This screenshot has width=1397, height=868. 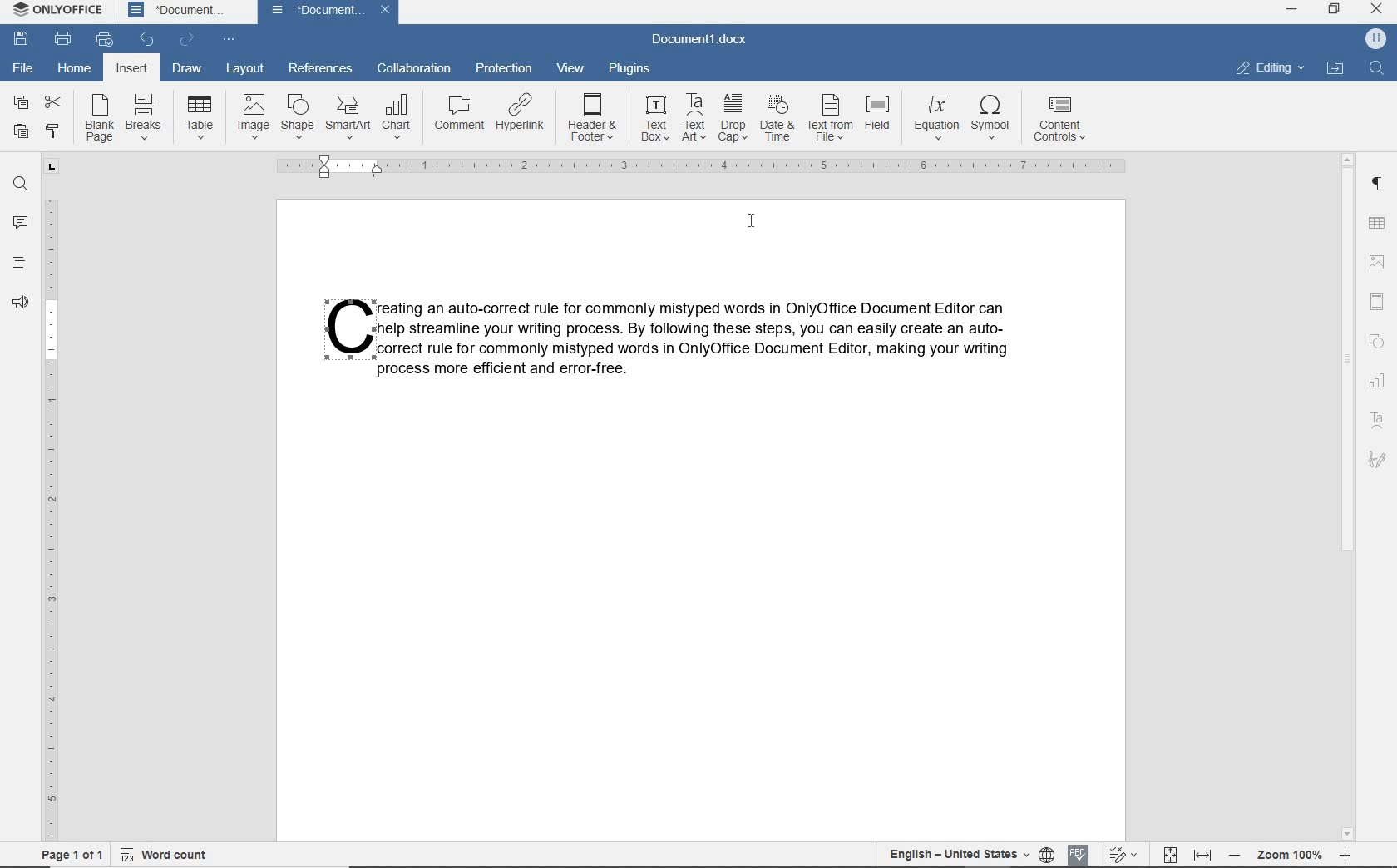 What do you see at coordinates (1379, 223) in the screenshot?
I see `table` at bounding box center [1379, 223].